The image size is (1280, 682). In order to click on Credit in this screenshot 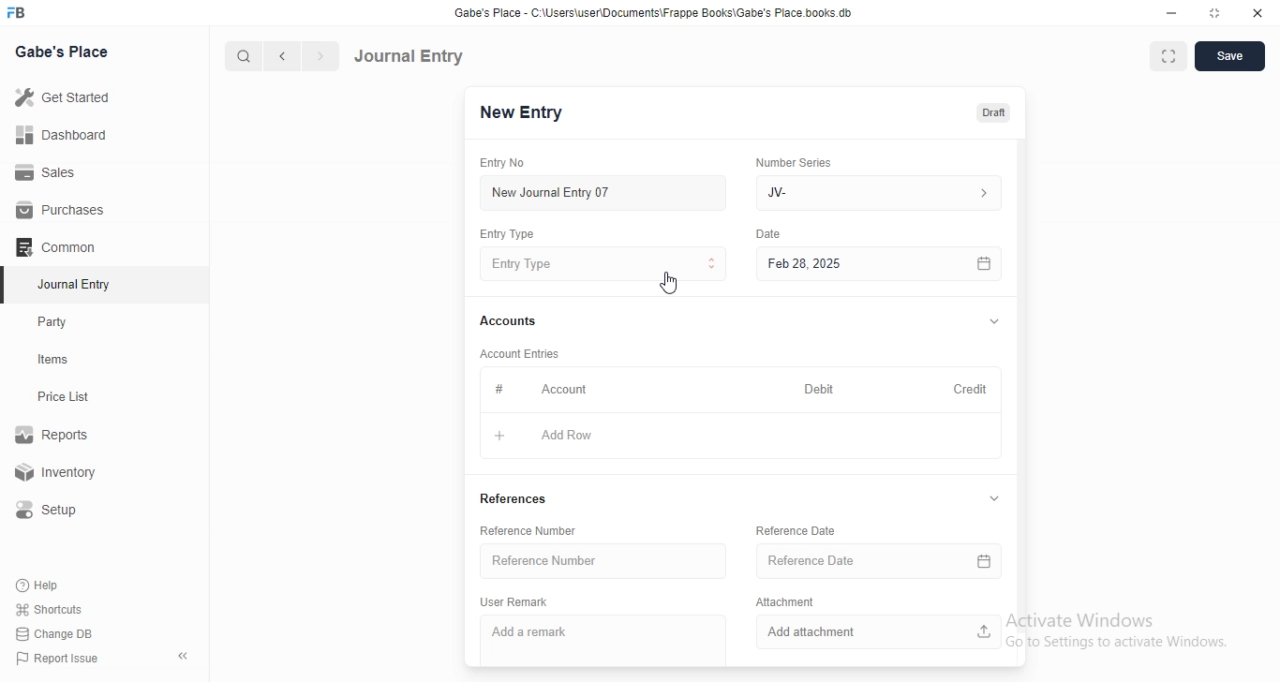, I will do `click(969, 387)`.